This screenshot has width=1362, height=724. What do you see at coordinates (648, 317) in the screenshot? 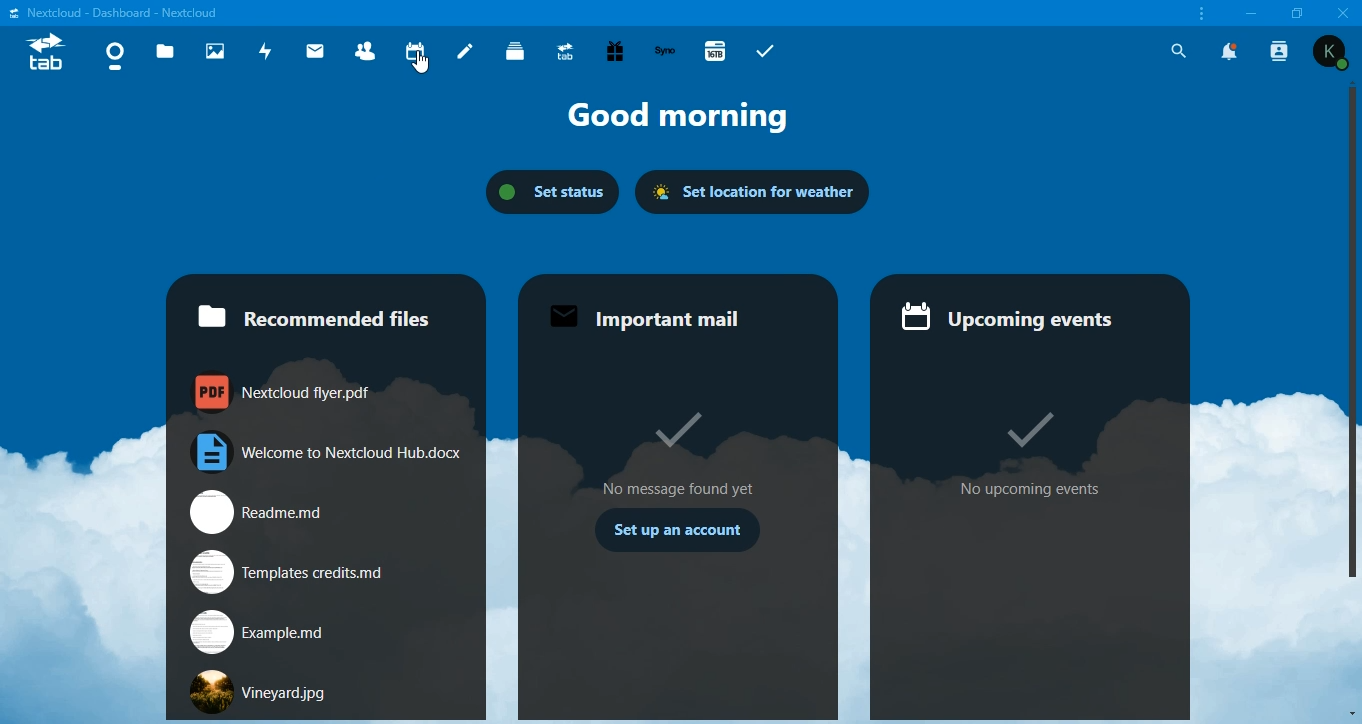
I see `Important mail` at bounding box center [648, 317].